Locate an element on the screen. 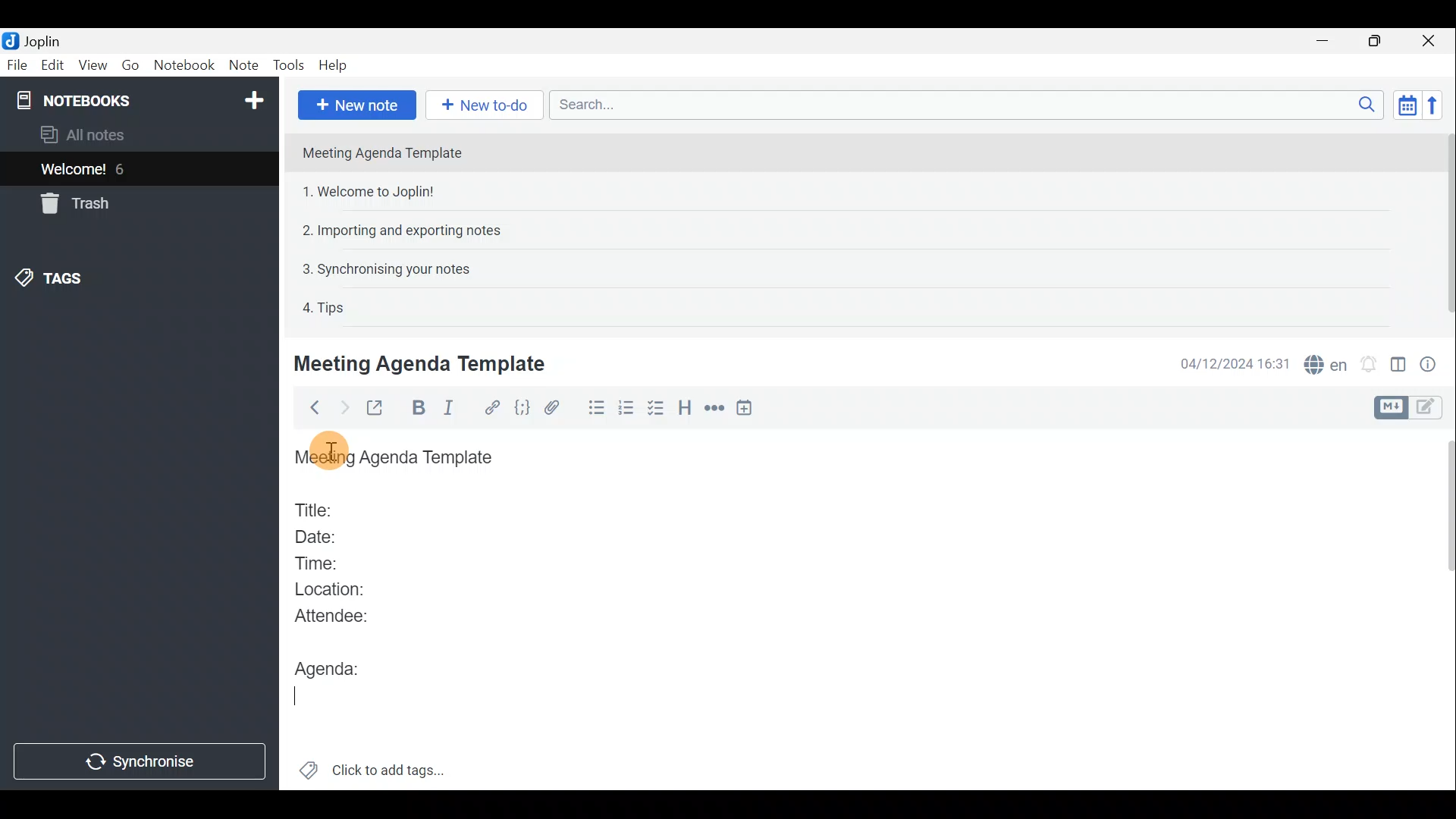 The height and width of the screenshot is (819, 1456).  is located at coordinates (332, 446).